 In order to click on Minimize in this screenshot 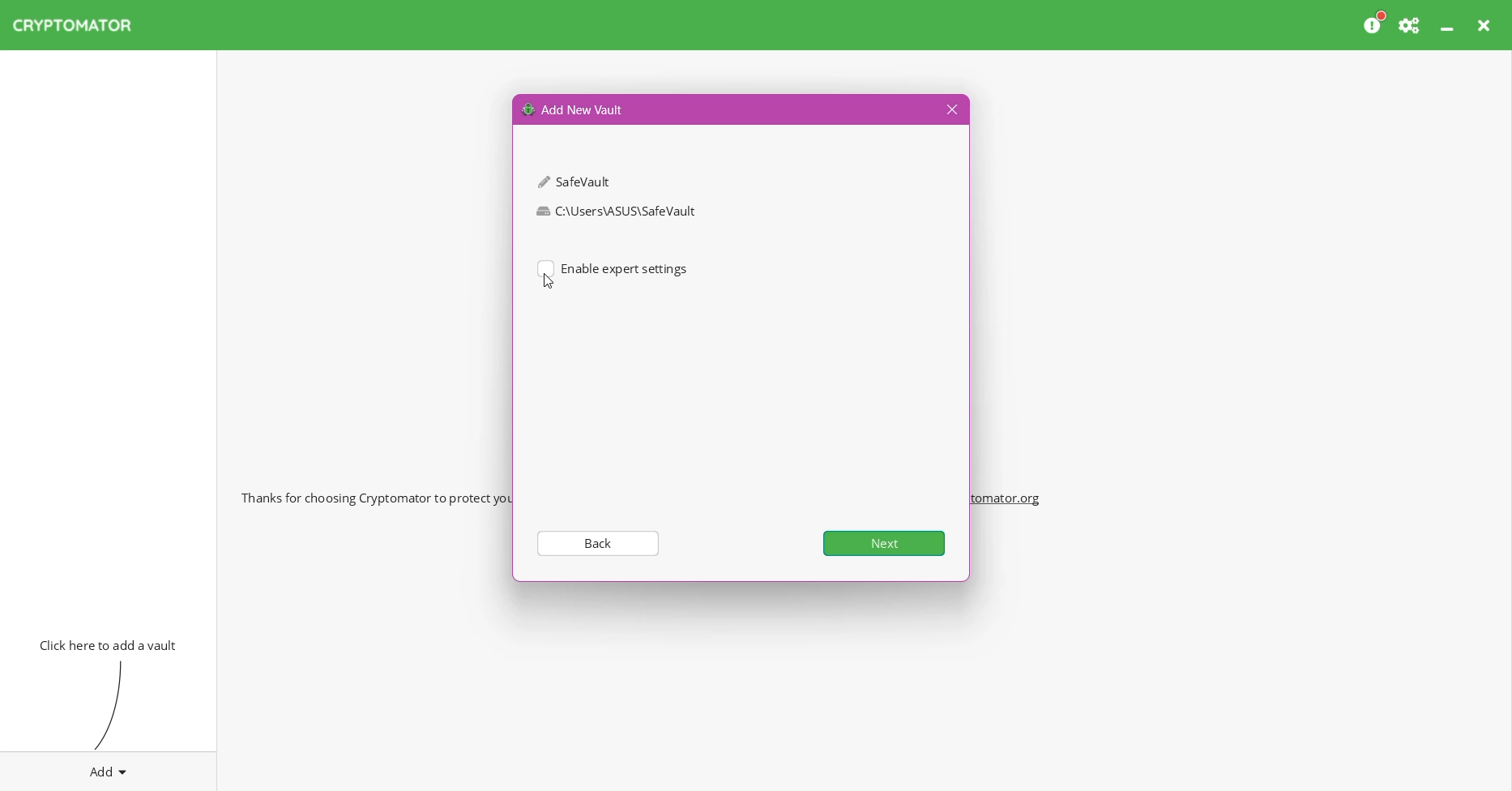, I will do `click(1449, 25)`.